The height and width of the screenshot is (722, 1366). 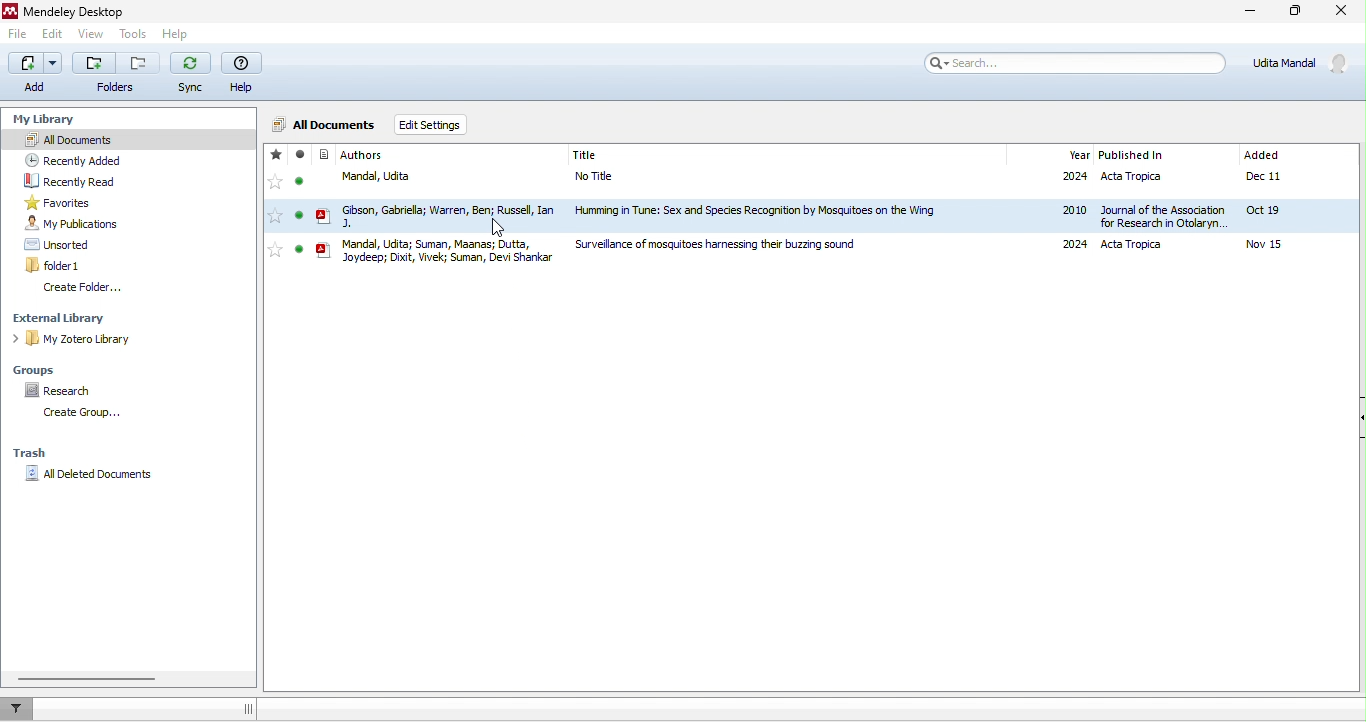 What do you see at coordinates (584, 155) in the screenshot?
I see `journal title` at bounding box center [584, 155].